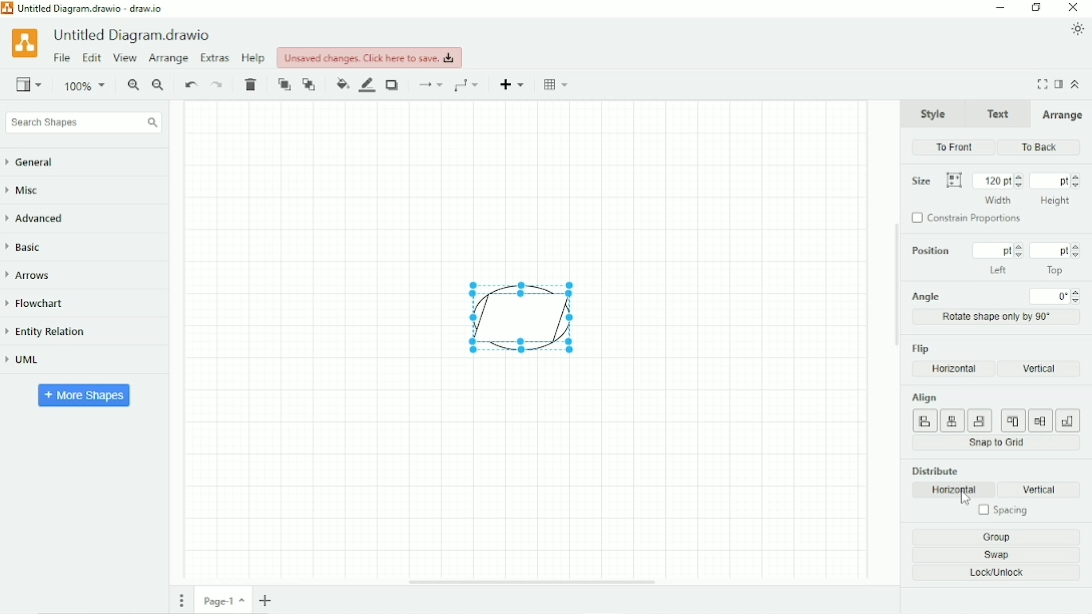  What do you see at coordinates (24, 42) in the screenshot?
I see `Logo` at bounding box center [24, 42].